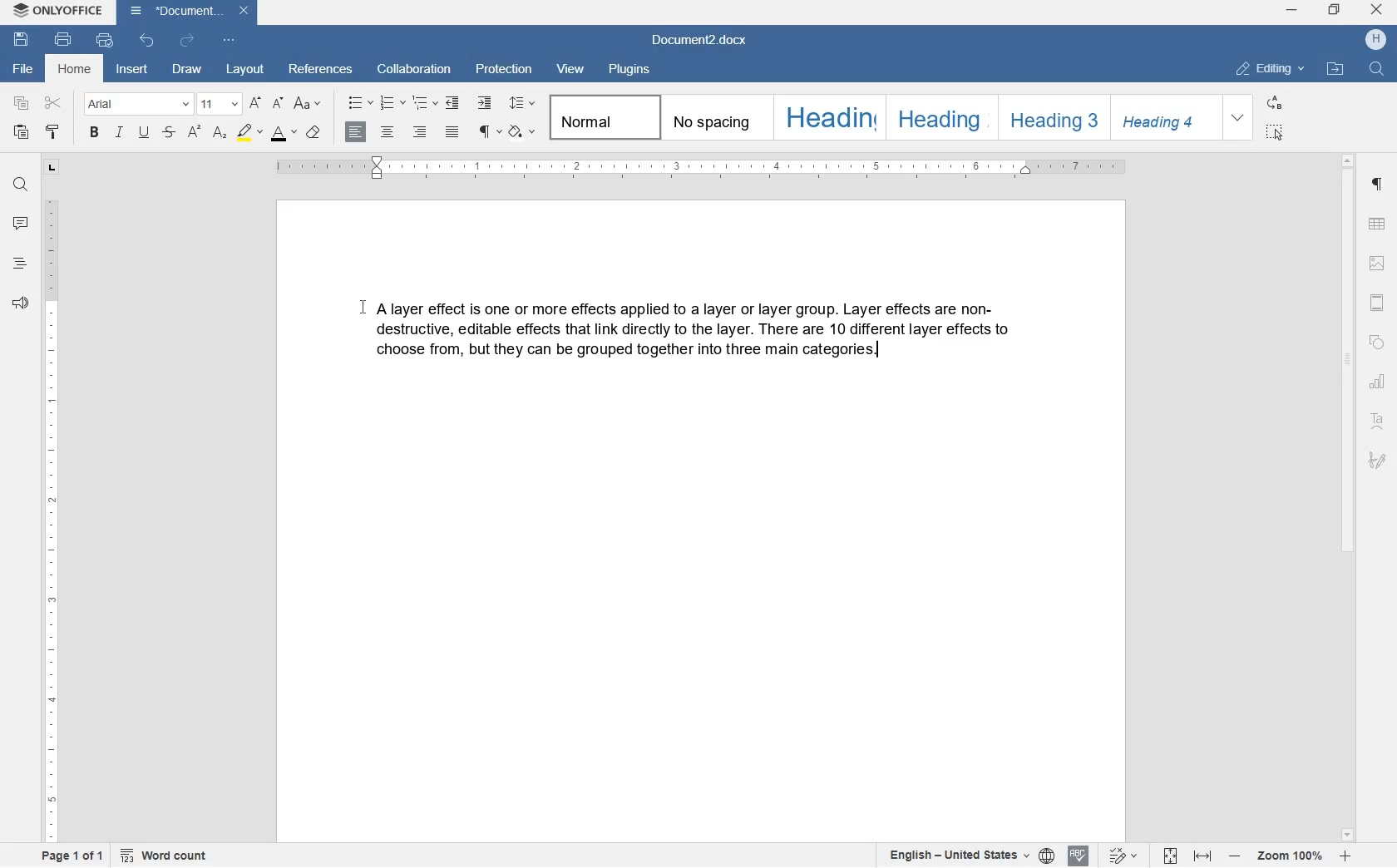 The height and width of the screenshot is (868, 1397). Describe the element at coordinates (1240, 118) in the screenshot. I see `expand formatting style` at that location.